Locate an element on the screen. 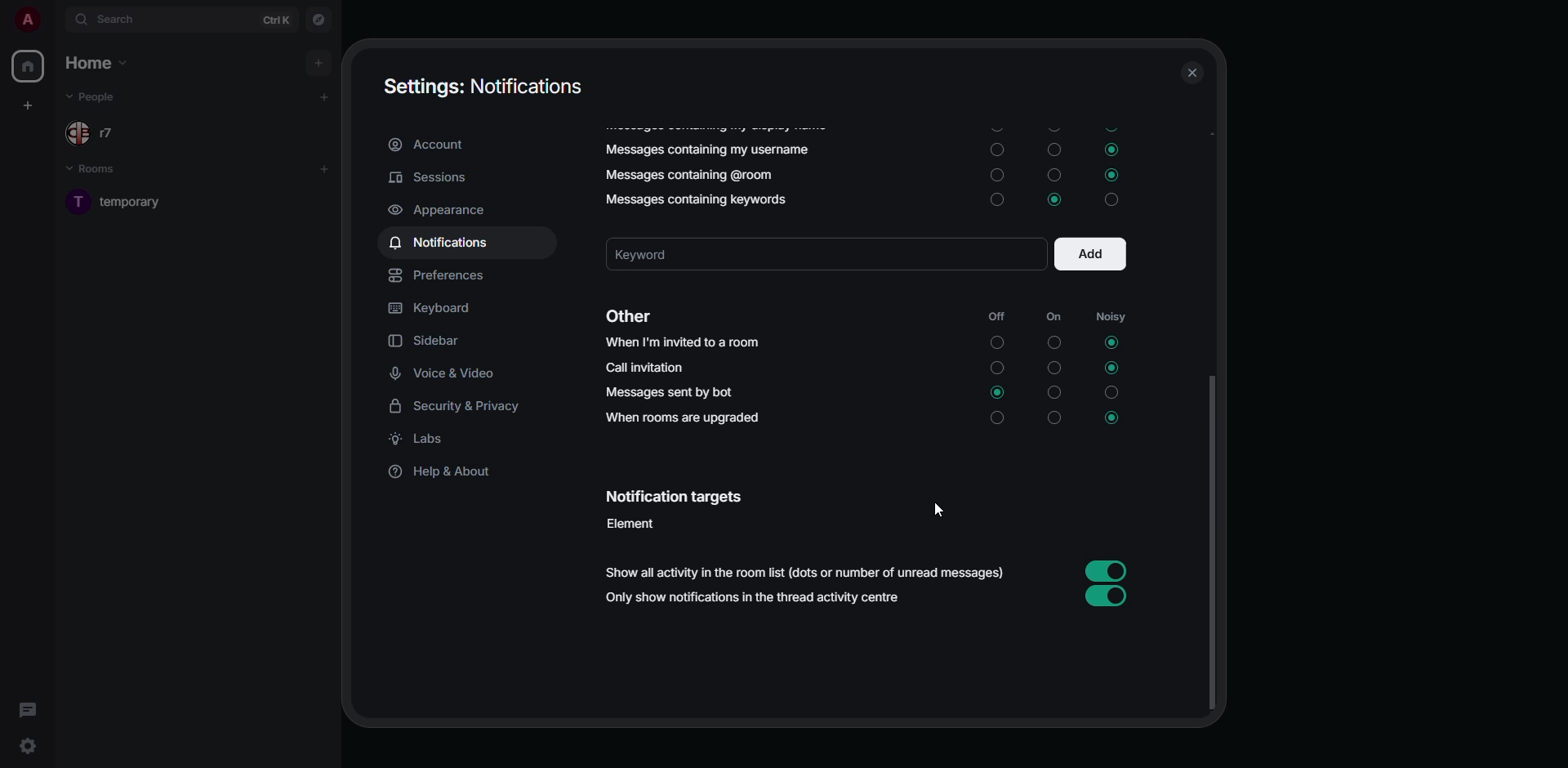  keyword is located at coordinates (679, 254).